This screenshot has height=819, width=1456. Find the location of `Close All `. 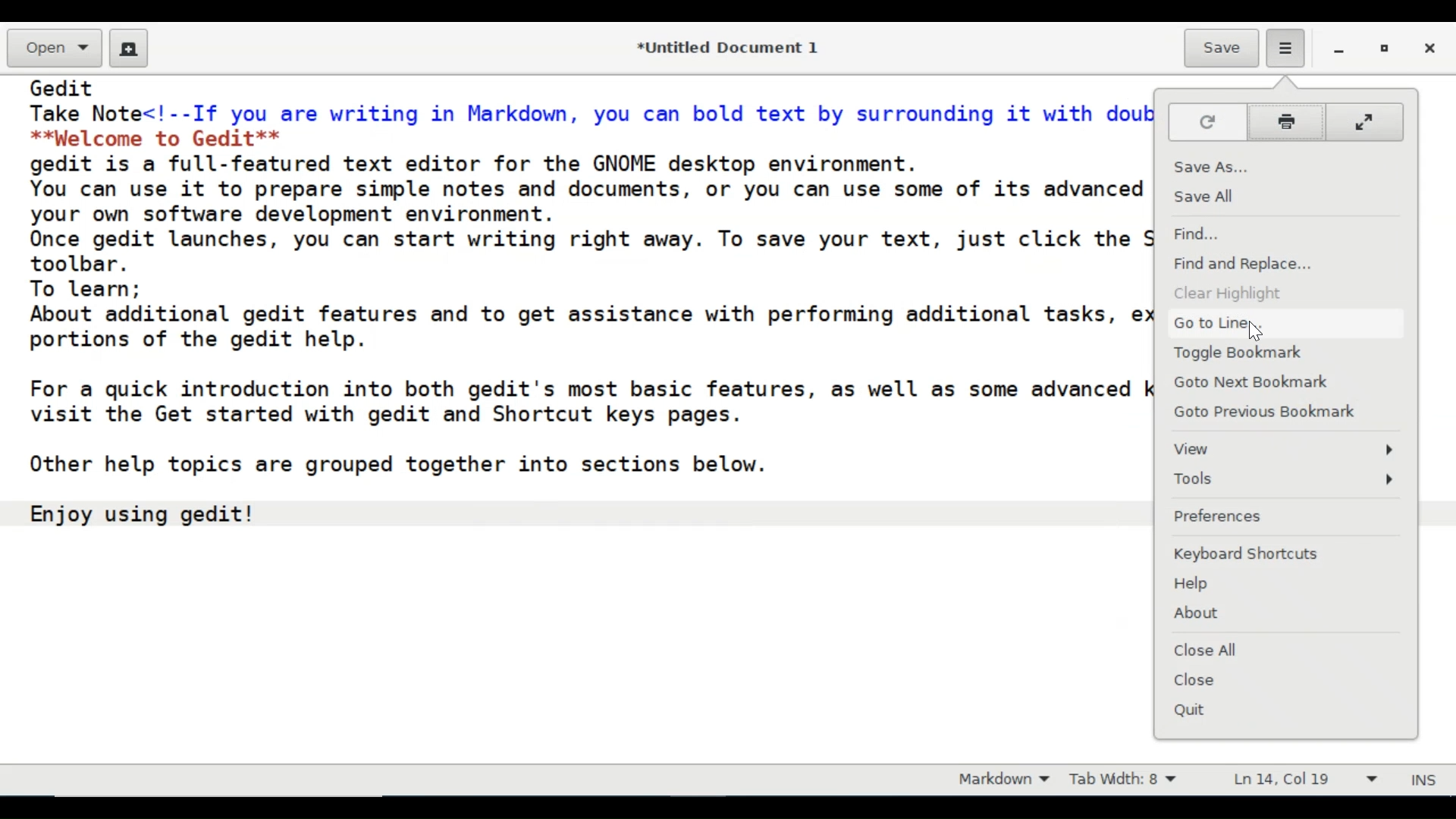

Close All  is located at coordinates (1213, 651).